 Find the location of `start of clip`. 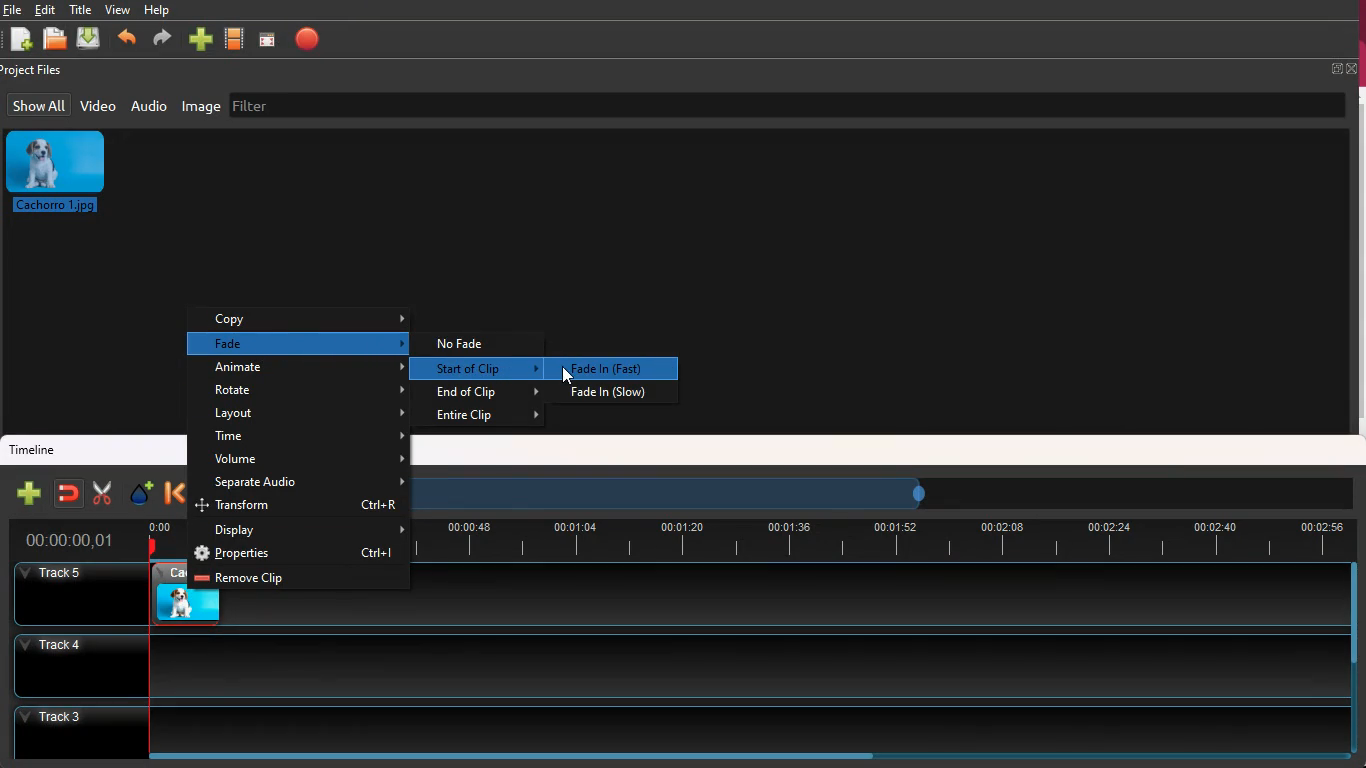

start of clip is located at coordinates (482, 370).